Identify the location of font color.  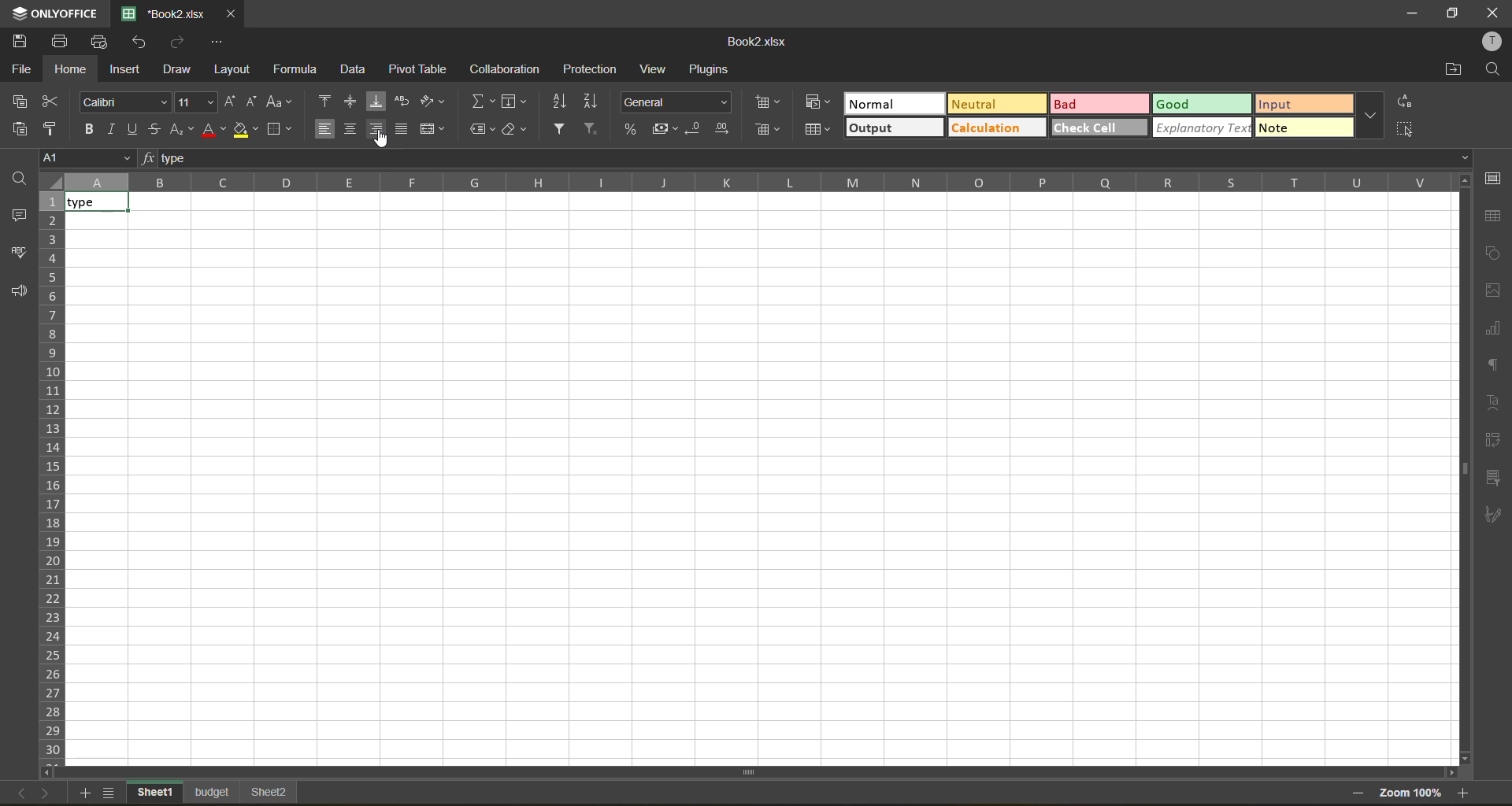
(213, 128).